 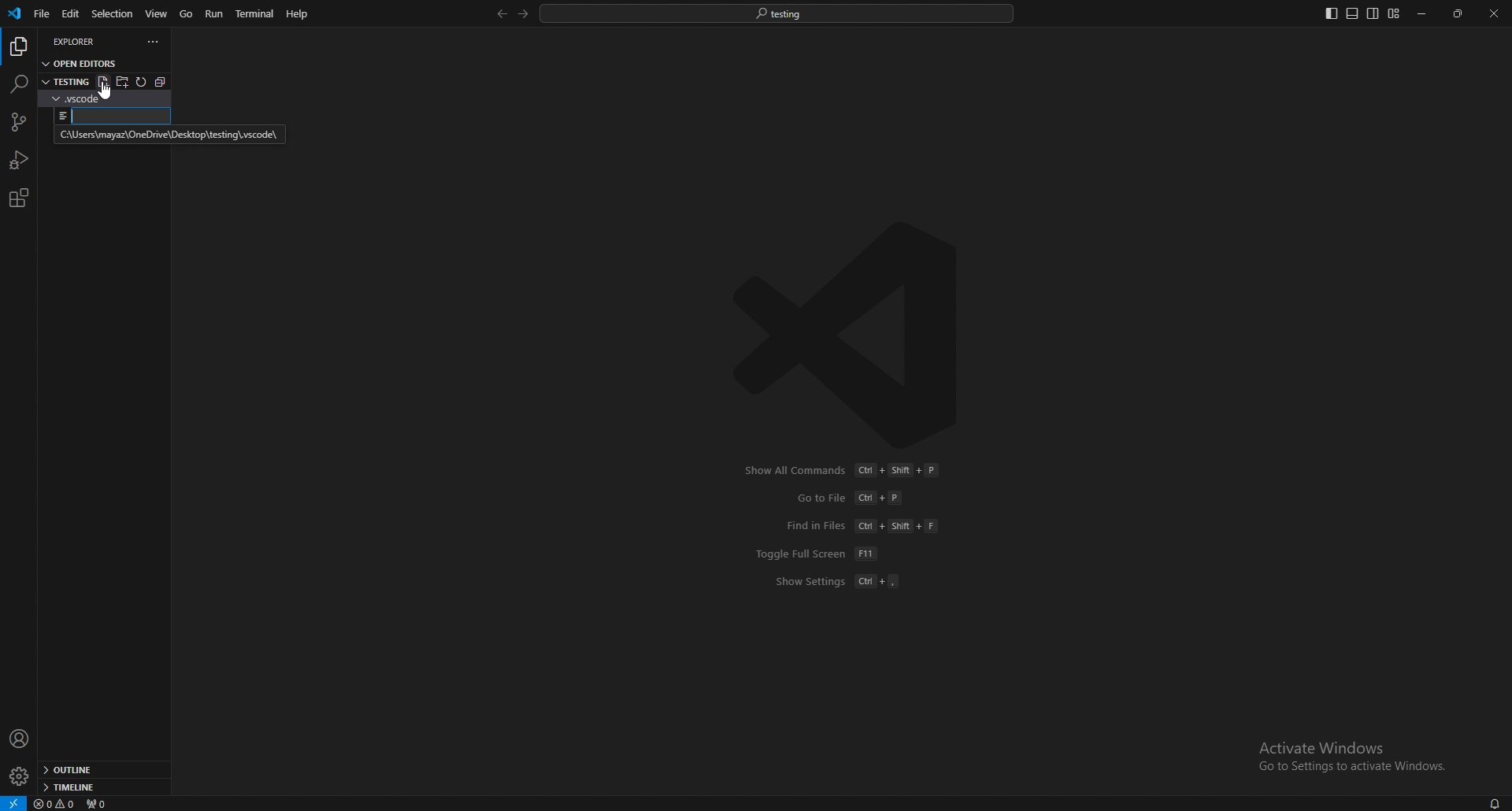 What do you see at coordinates (103, 804) in the screenshot?
I see `ports forwarded` at bounding box center [103, 804].